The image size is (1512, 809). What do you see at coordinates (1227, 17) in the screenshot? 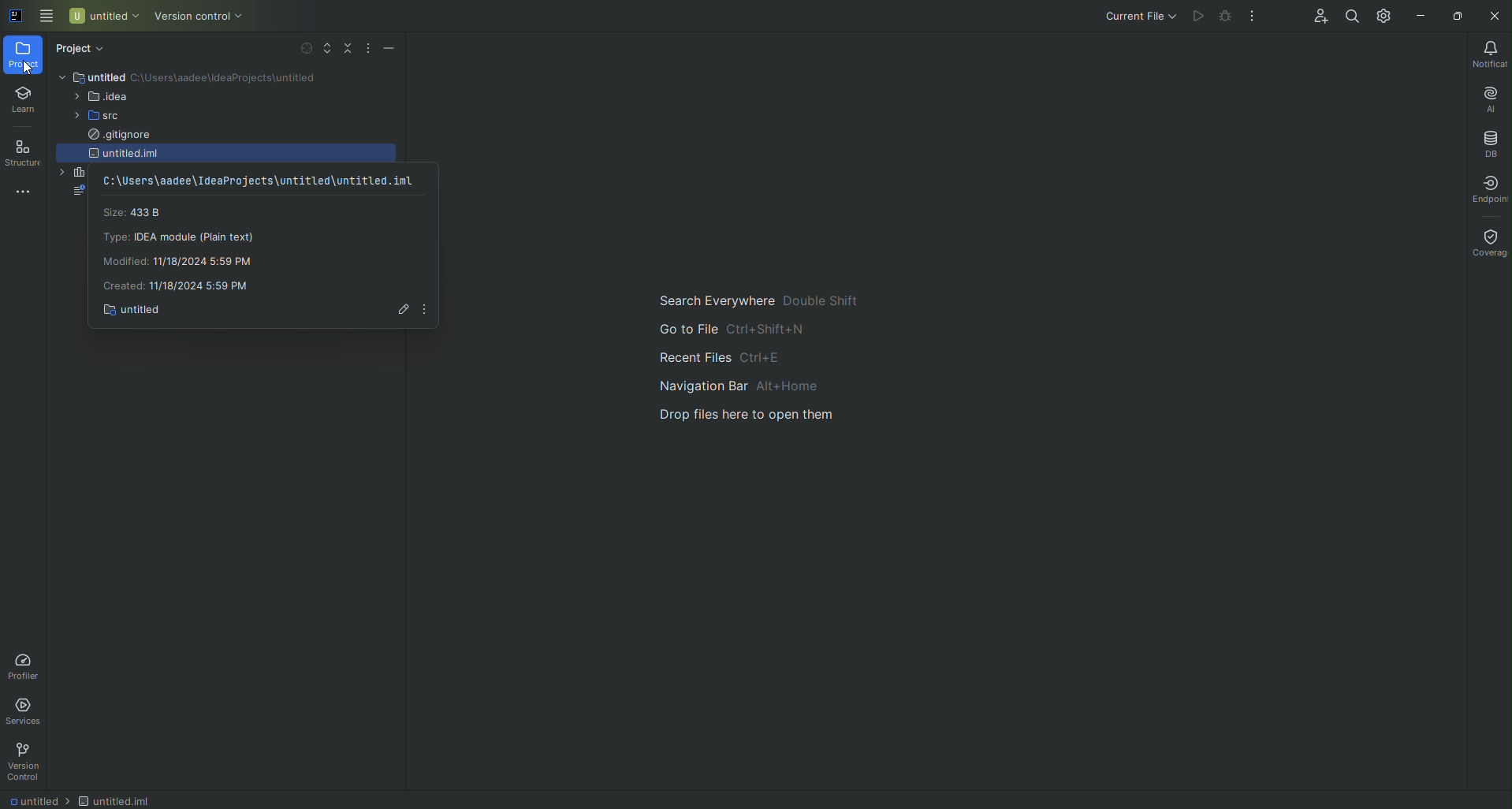
I see `Cannot run code` at bounding box center [1227, 17].